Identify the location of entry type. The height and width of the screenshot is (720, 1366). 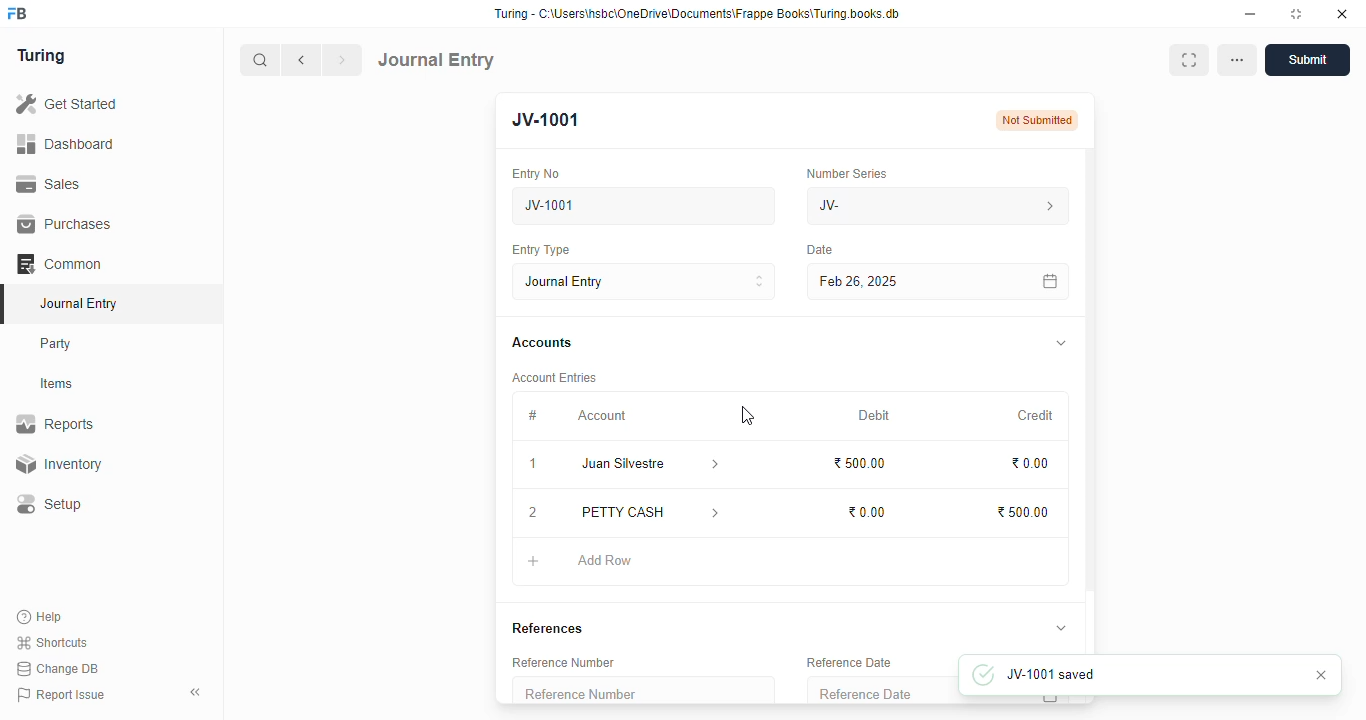
(541, 250).